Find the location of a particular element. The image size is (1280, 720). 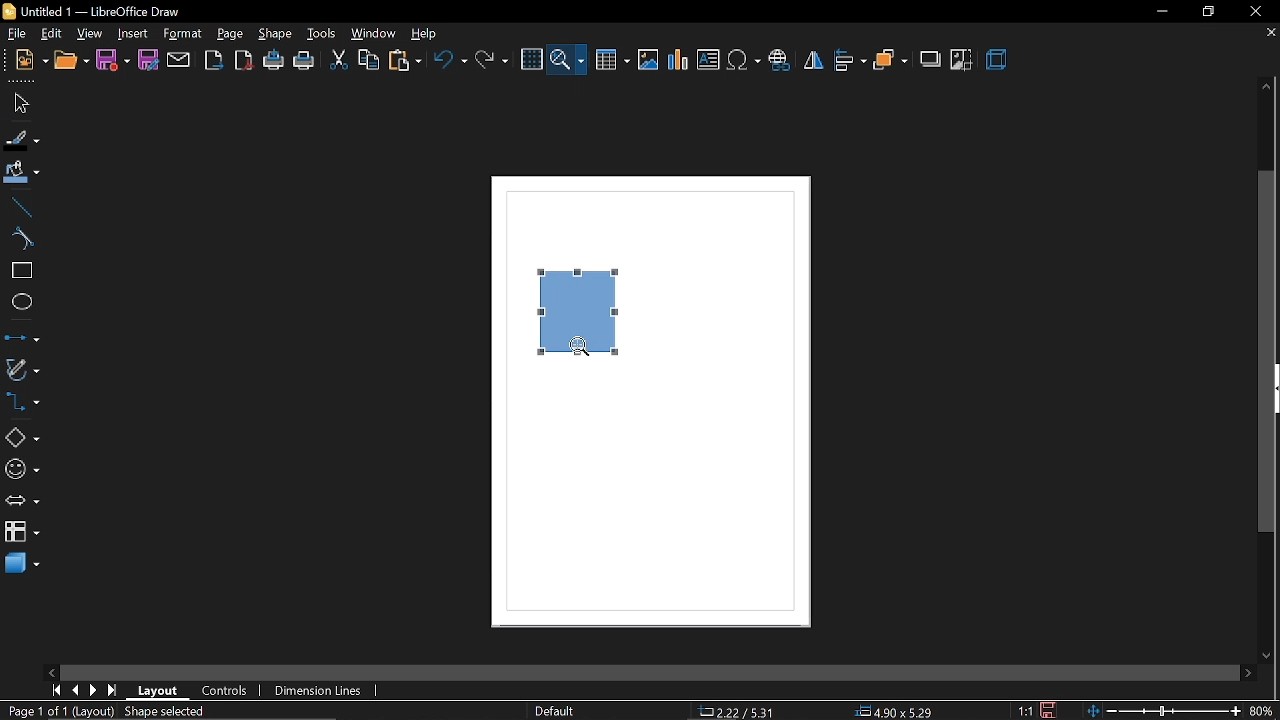

3d effect is located at coordinates (998, 61).